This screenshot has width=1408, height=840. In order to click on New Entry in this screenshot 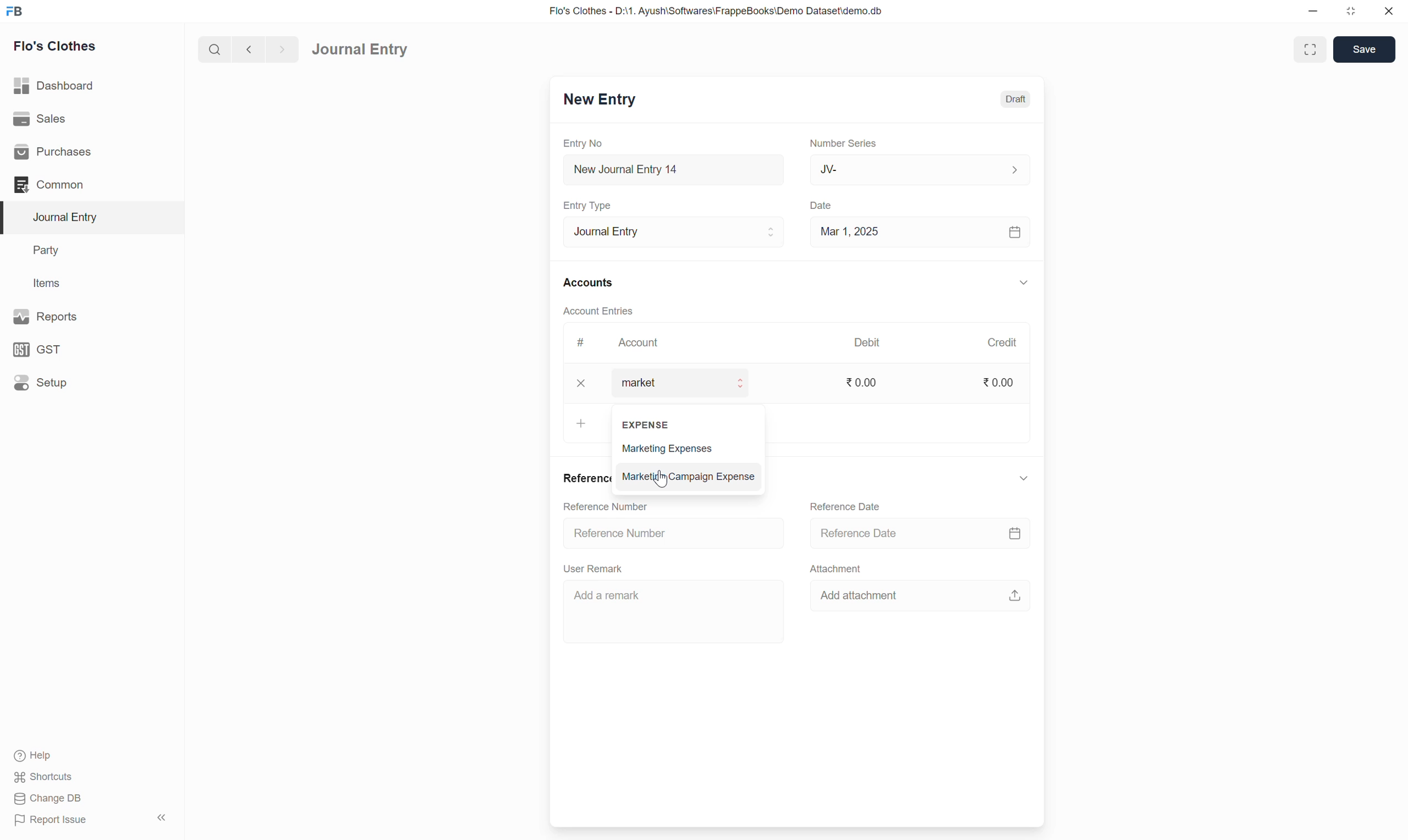, I will do `click(600, 98)`.